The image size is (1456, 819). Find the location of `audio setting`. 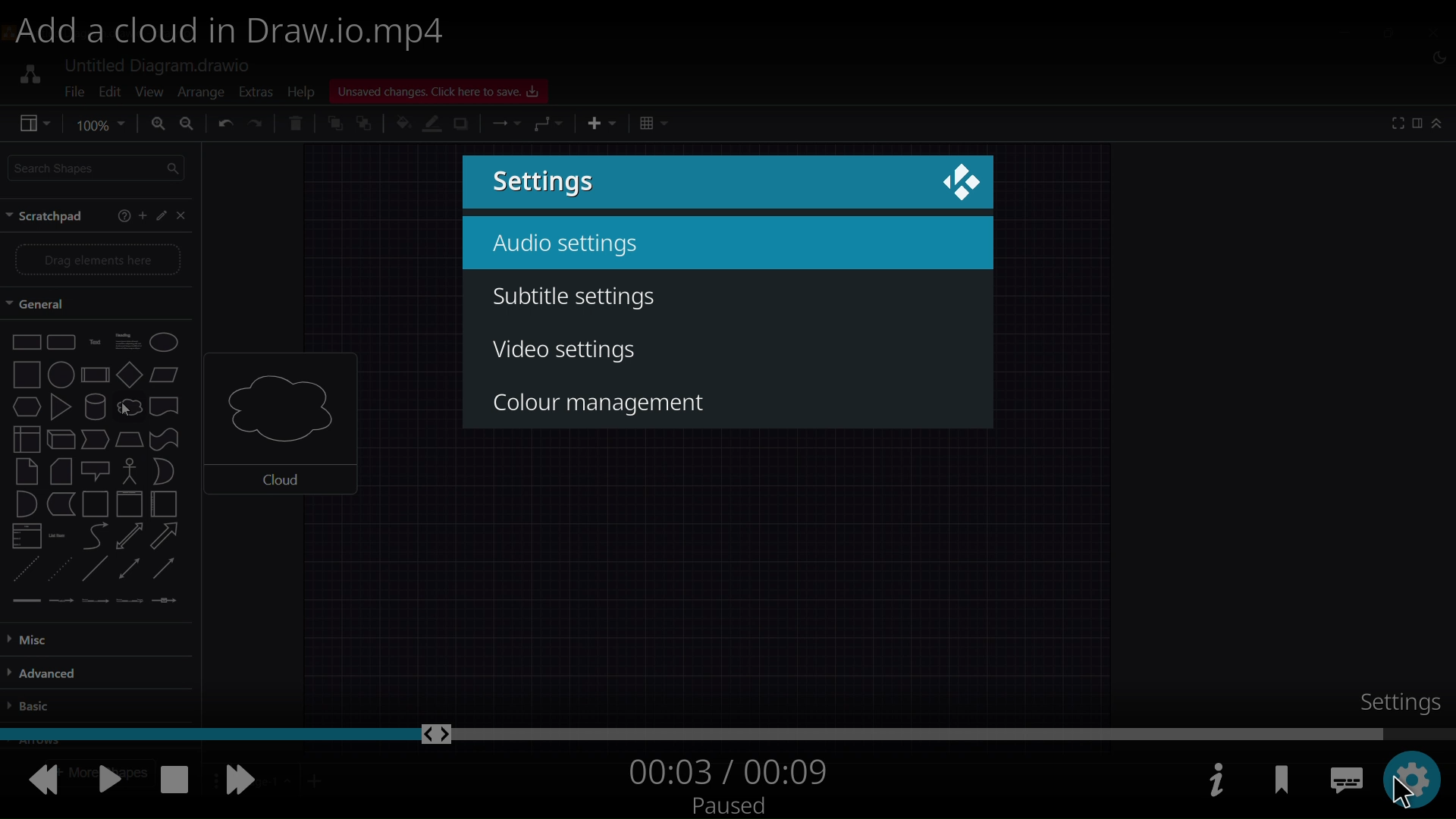

audio setting is located at coordinates (569, 243).